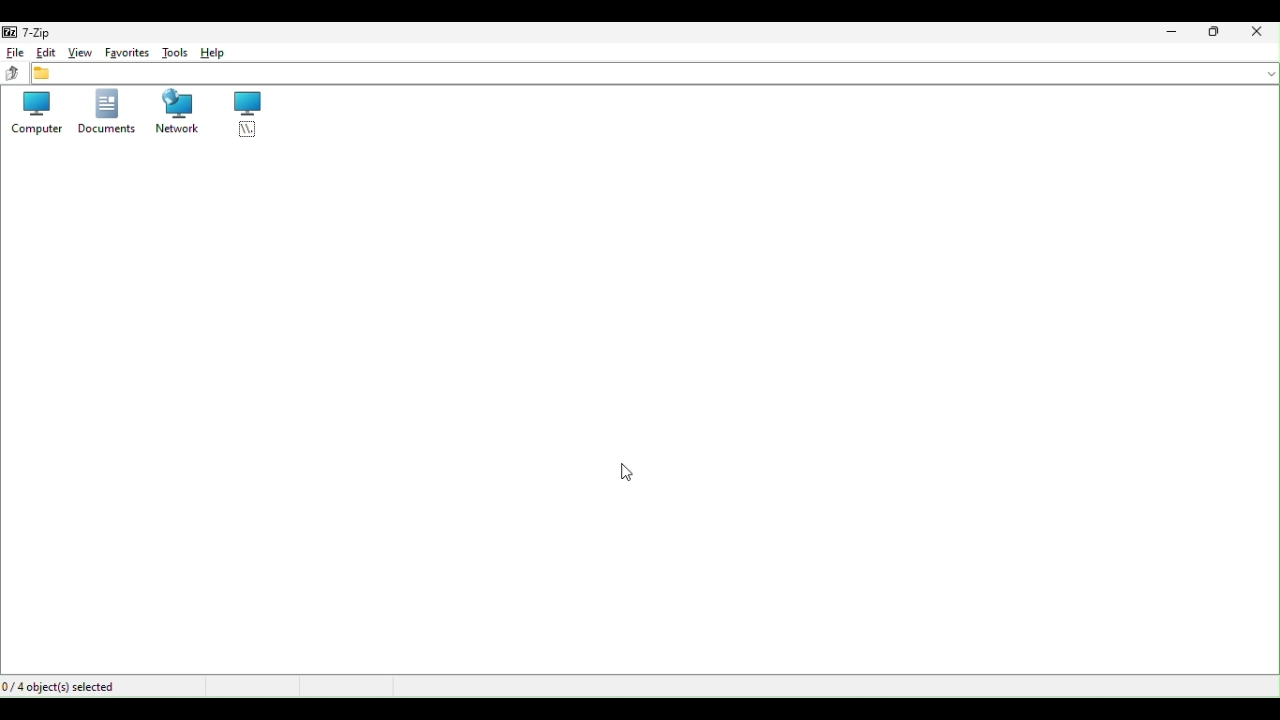  What do you see at coordinates (241, 114) in the screenshot?
I see `root` at bounding box center [241, 114].